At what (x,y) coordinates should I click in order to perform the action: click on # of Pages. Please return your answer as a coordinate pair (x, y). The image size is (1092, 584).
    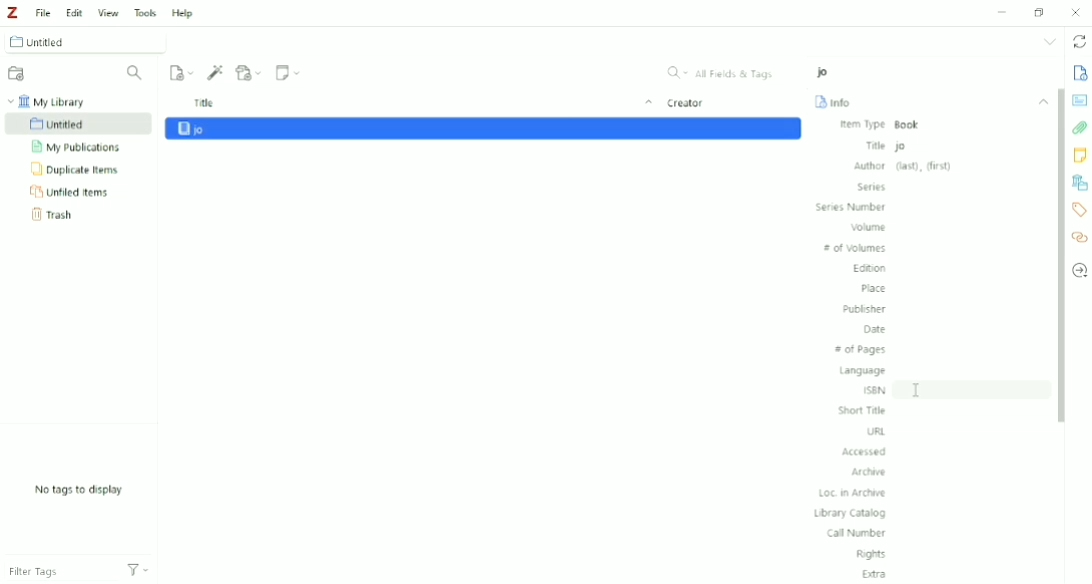
    Looking at the image, I should click on (861, 349).